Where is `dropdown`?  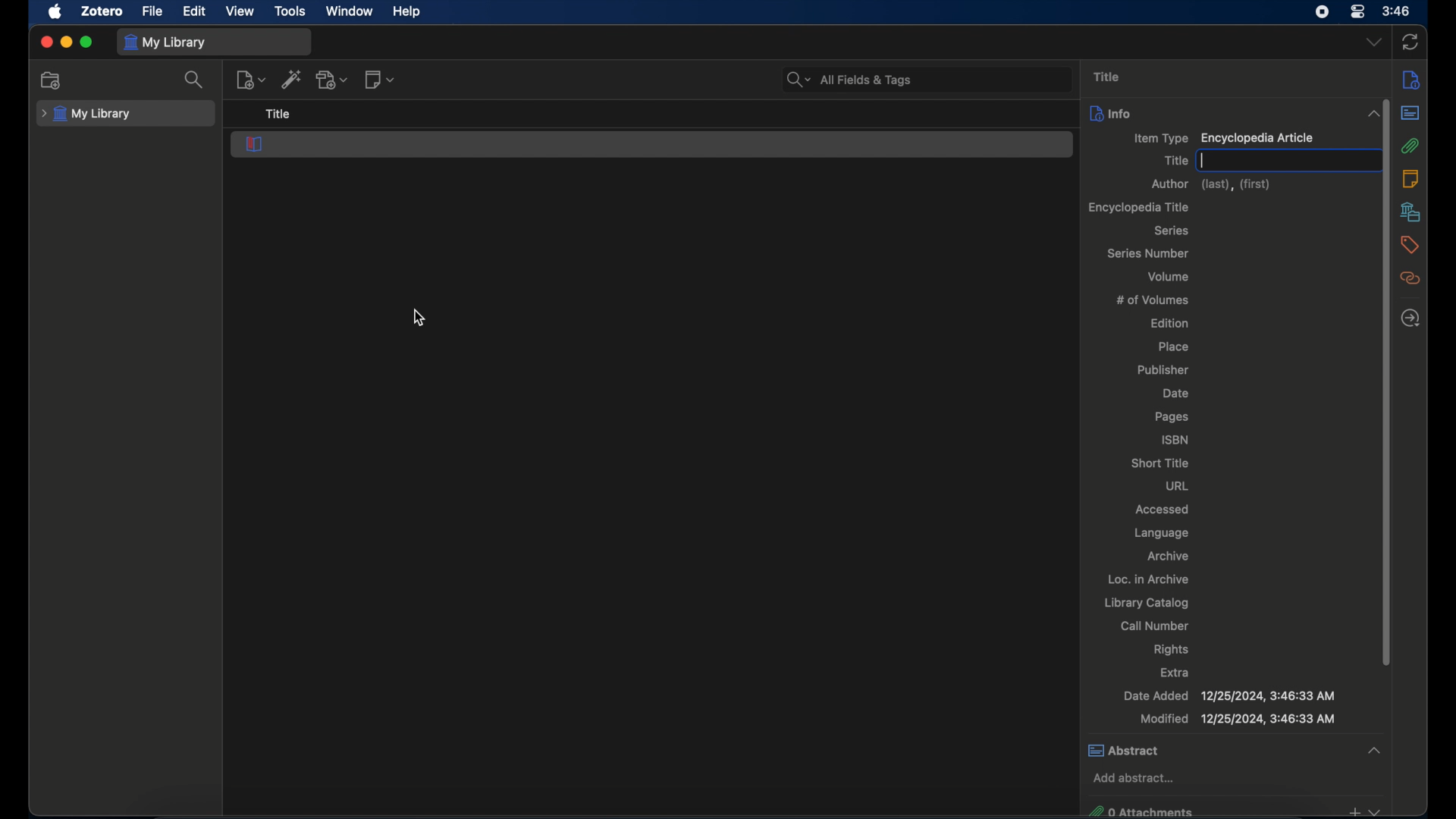
dropdown is located at coordinates (1374, 42).